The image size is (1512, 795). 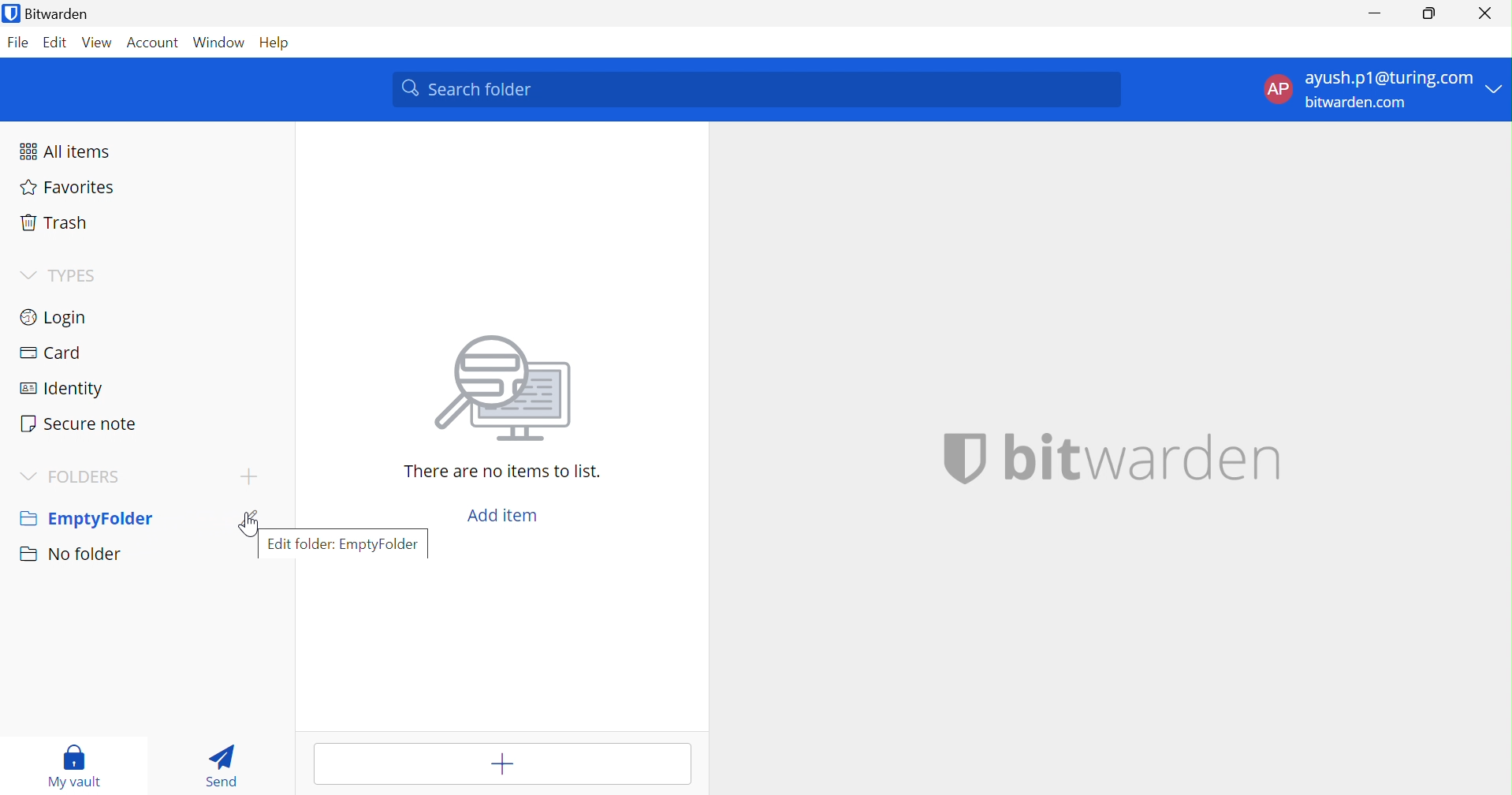 I want to click on bitwarden logo, so click(x=949, y=458).